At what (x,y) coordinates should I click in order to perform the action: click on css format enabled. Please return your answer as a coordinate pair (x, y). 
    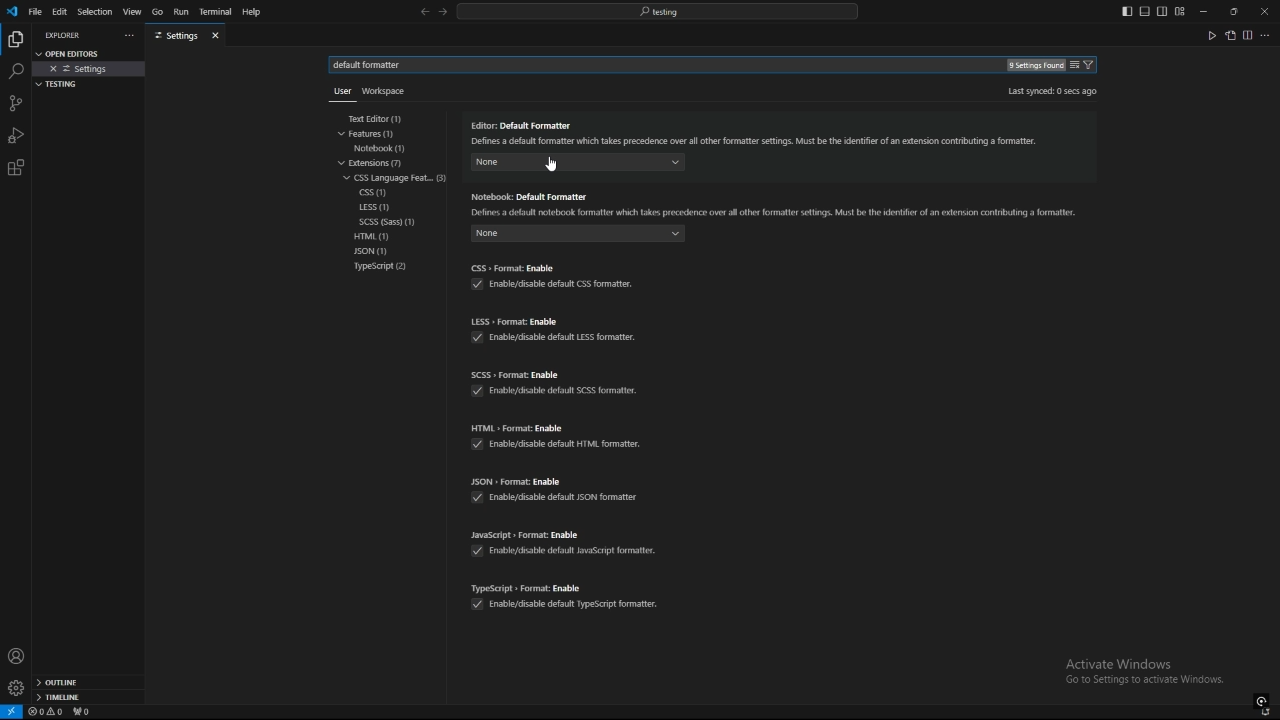
    Looking at the image, I should click on (551, 267).